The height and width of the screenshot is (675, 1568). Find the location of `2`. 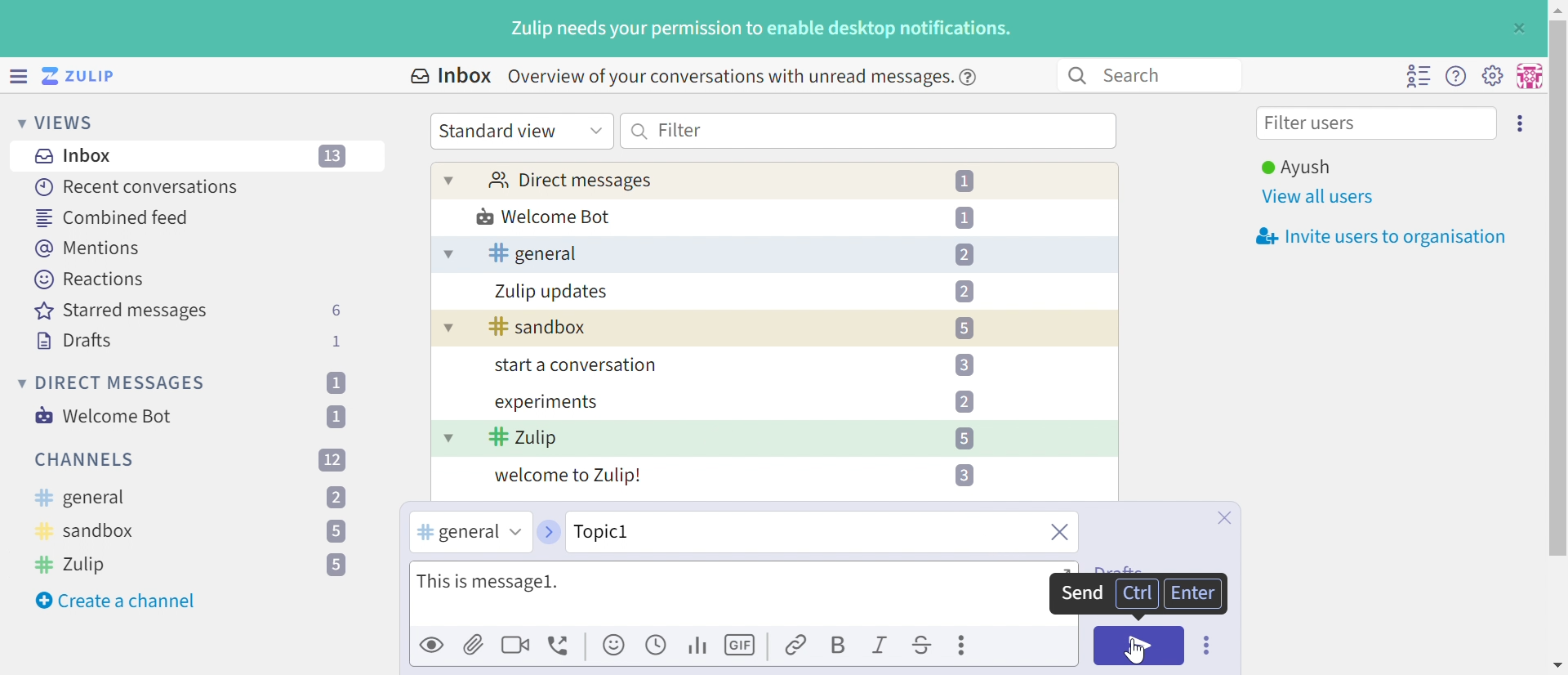

2 is located at coordinates (964, 291).